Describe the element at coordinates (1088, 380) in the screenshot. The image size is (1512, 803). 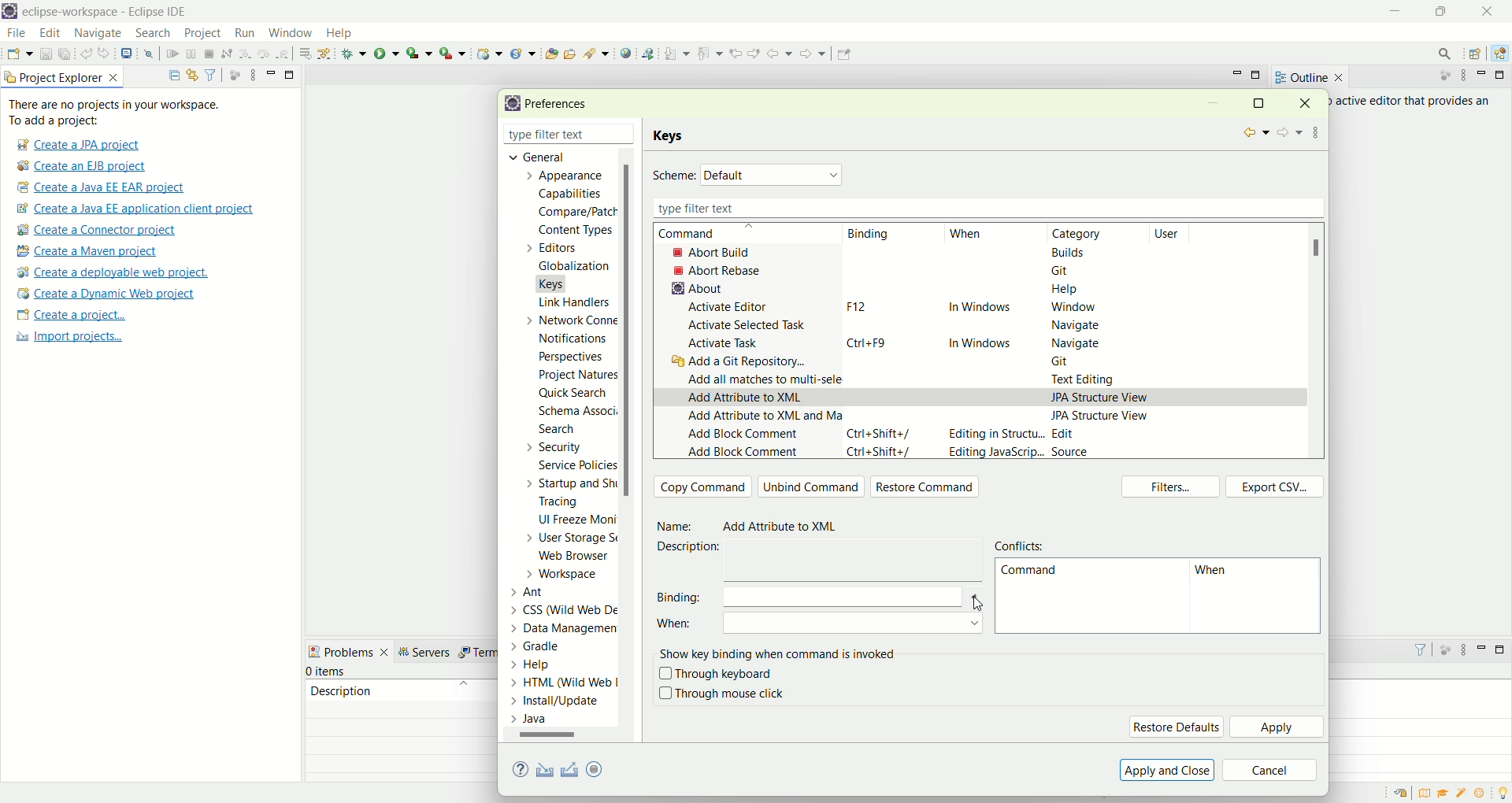
I see `text editing` at that location.